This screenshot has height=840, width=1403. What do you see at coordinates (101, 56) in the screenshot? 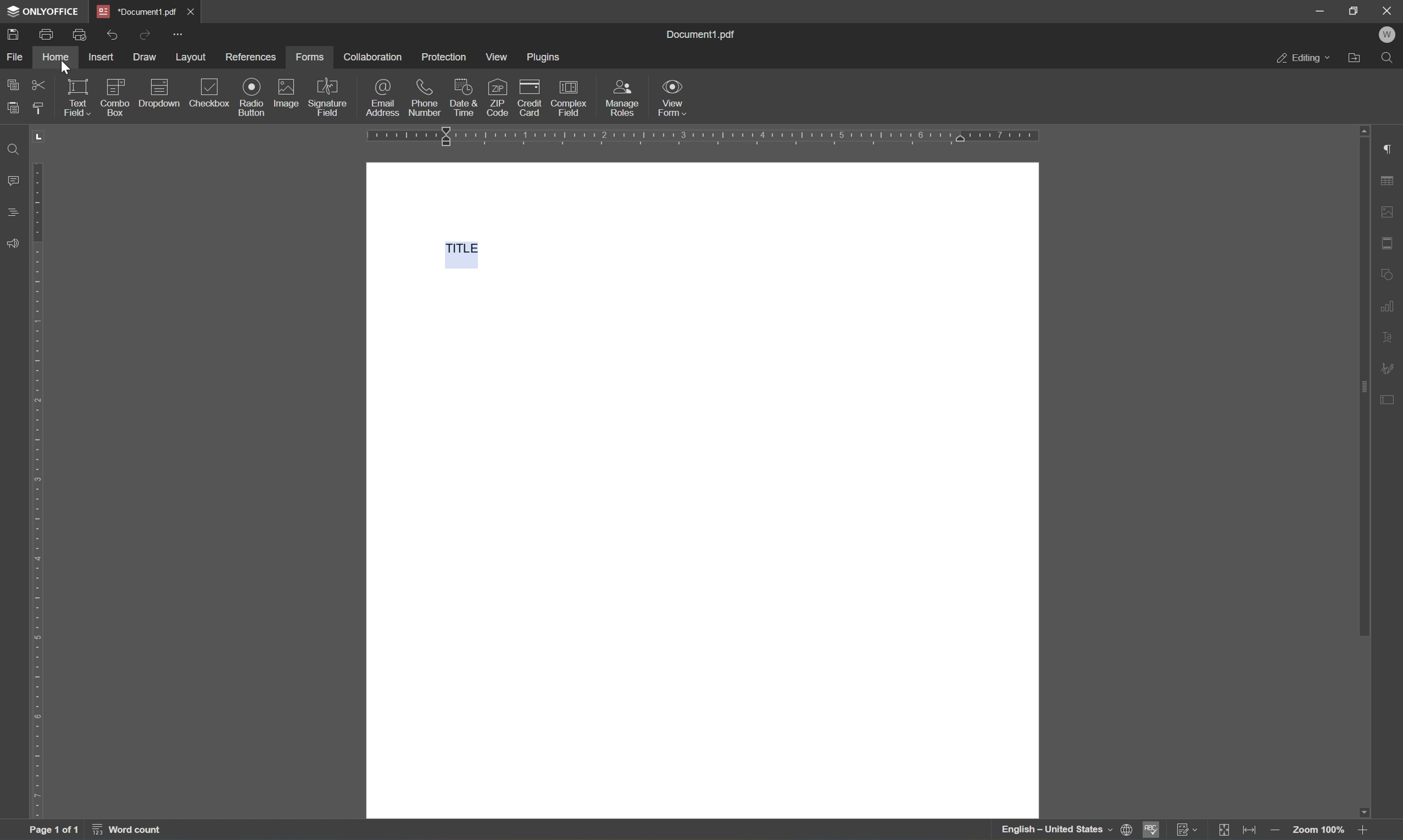
I see `insert` at bounding box center [101, 56].